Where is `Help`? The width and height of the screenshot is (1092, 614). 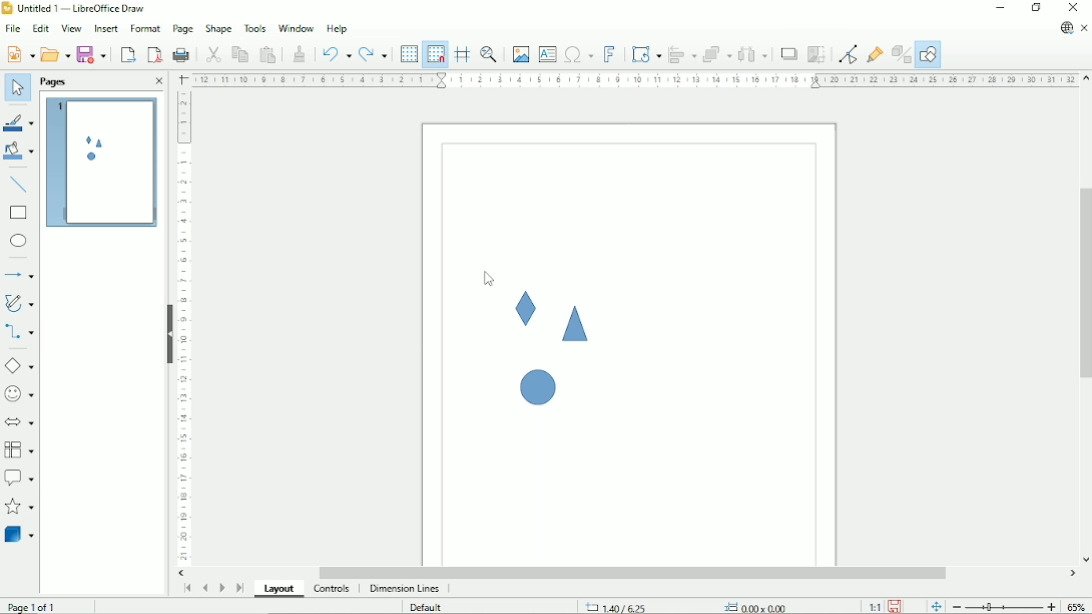
Help is located at coordinates (337, 29).